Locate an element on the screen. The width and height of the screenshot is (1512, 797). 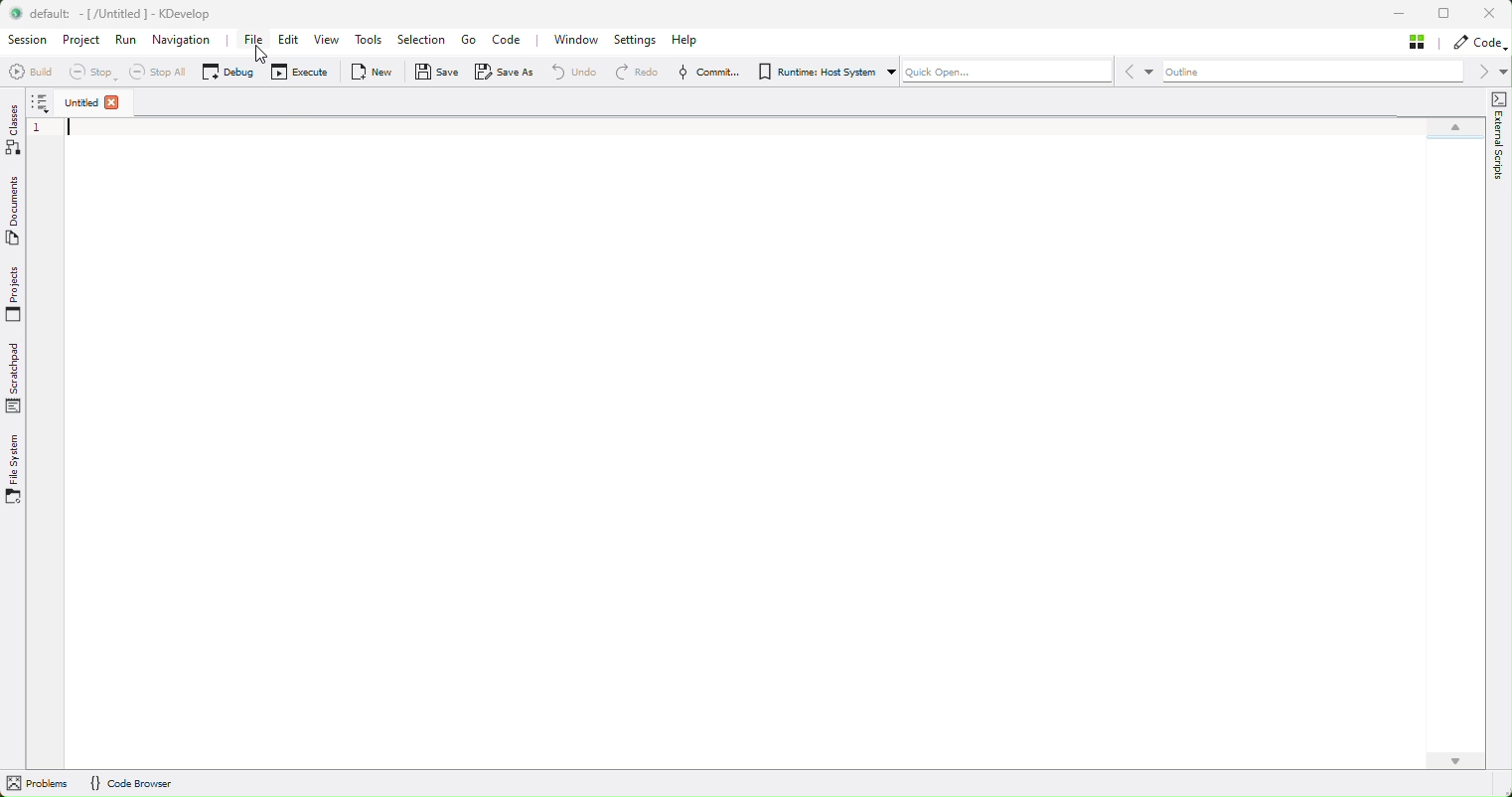
Edit is located at coordinates (288, 42).